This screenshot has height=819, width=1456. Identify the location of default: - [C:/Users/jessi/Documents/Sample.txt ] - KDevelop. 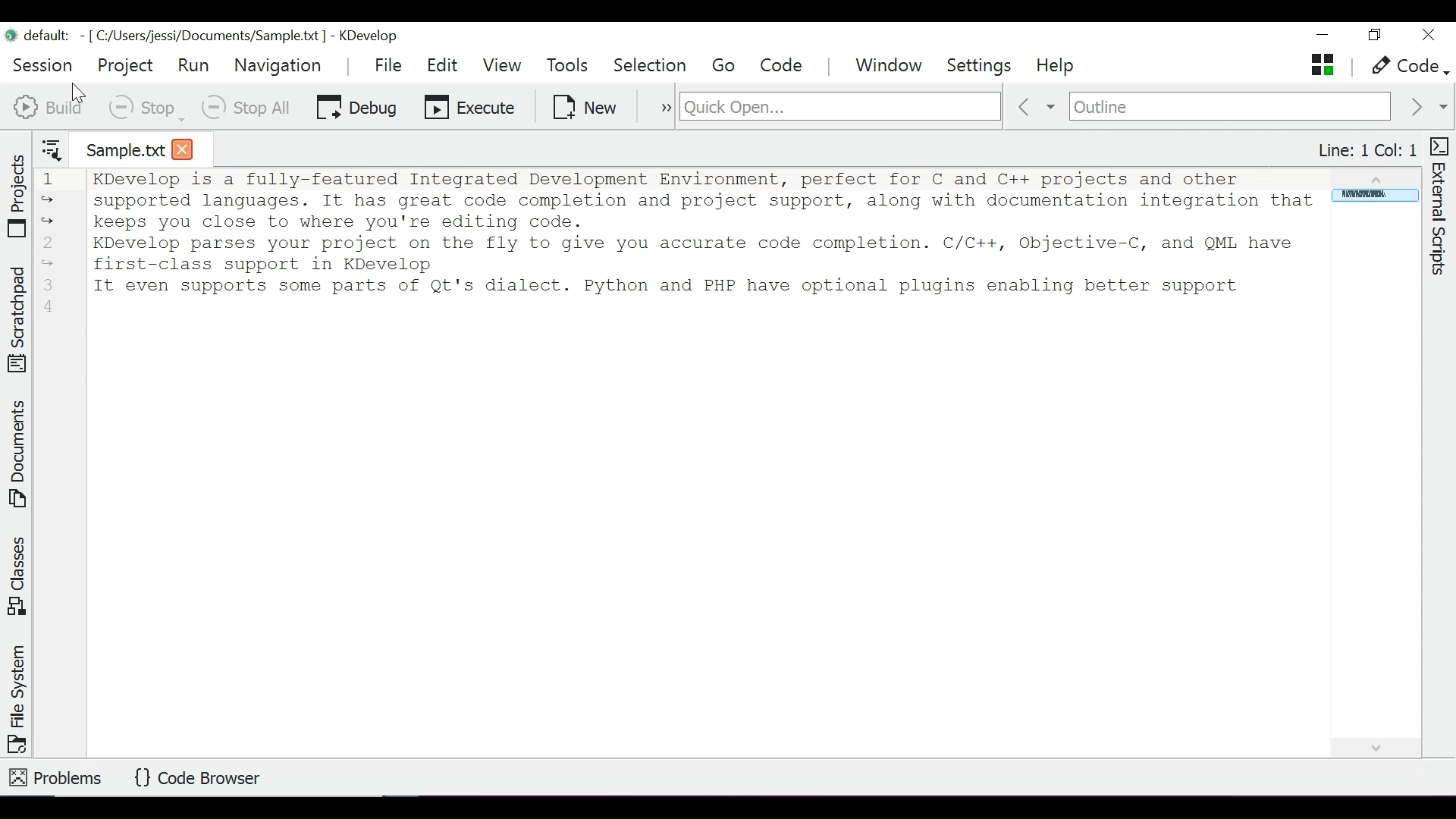
(206, 36).